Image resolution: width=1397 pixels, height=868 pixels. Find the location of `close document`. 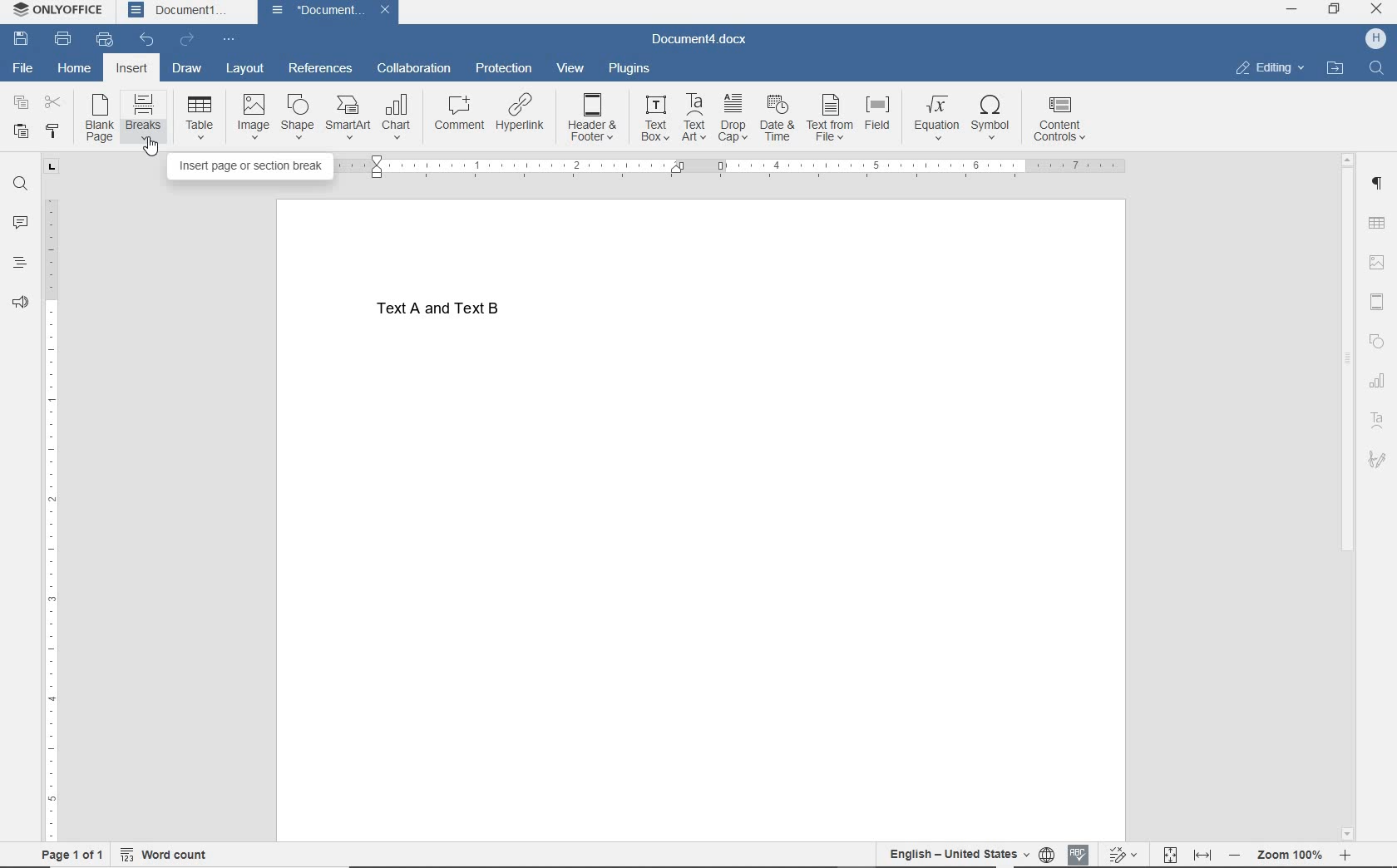

close document is located at coordinates (389, 12).